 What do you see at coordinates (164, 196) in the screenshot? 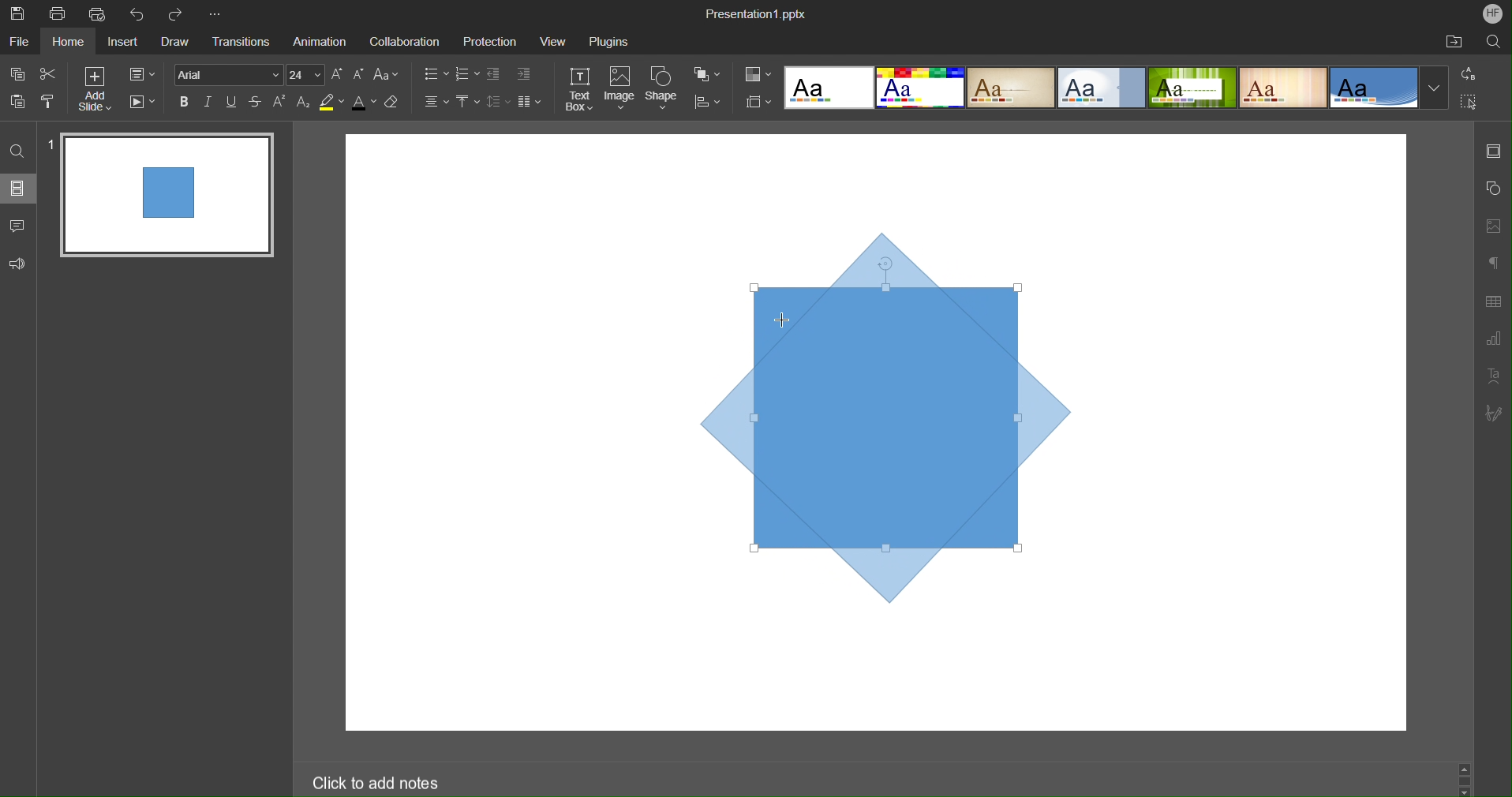
I see `Slide 1` at bounding box center [164, 196].